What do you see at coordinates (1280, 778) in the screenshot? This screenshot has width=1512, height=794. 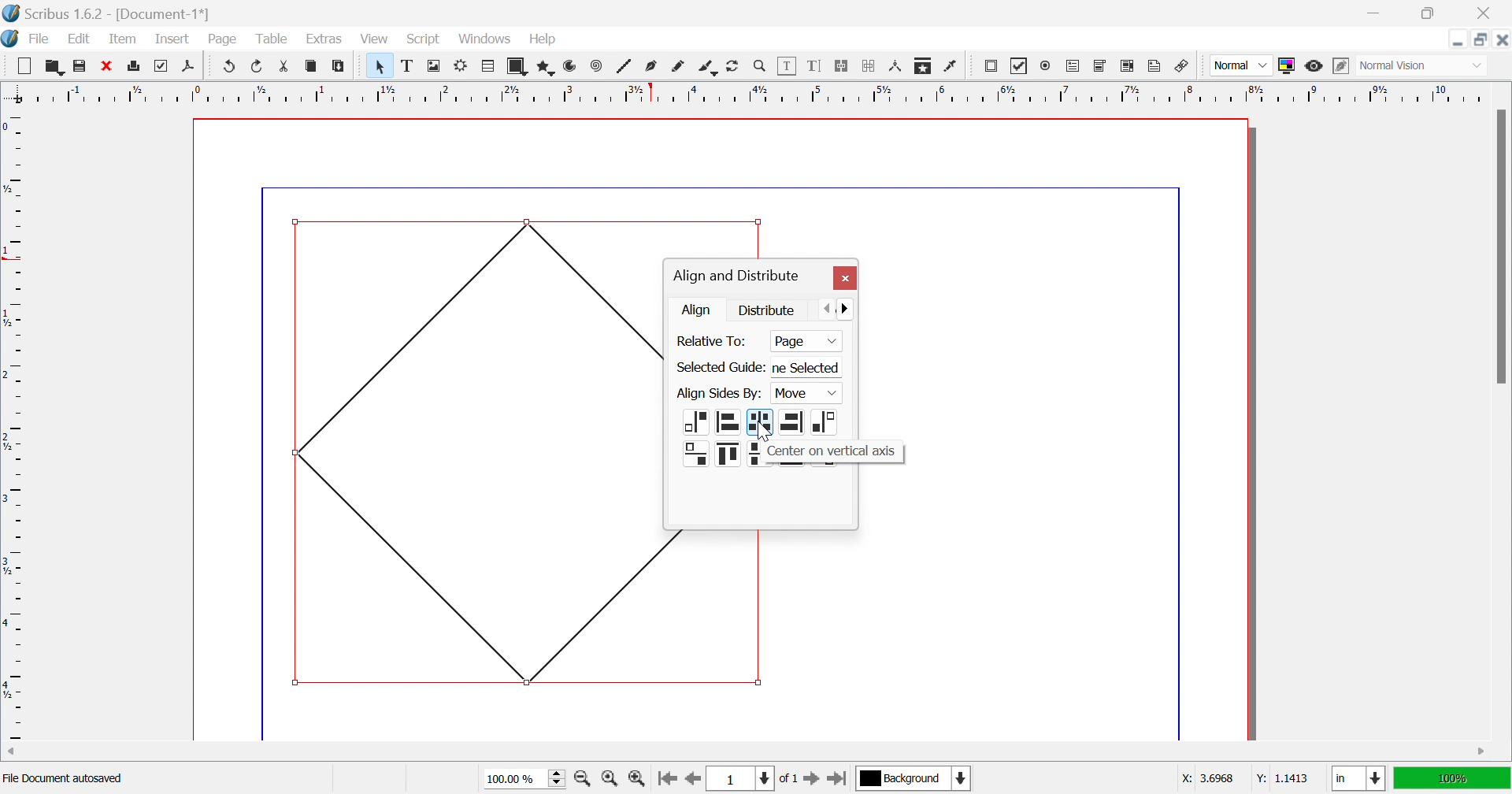 I see `y: 1.1413` at bounding box center [1280, 778].